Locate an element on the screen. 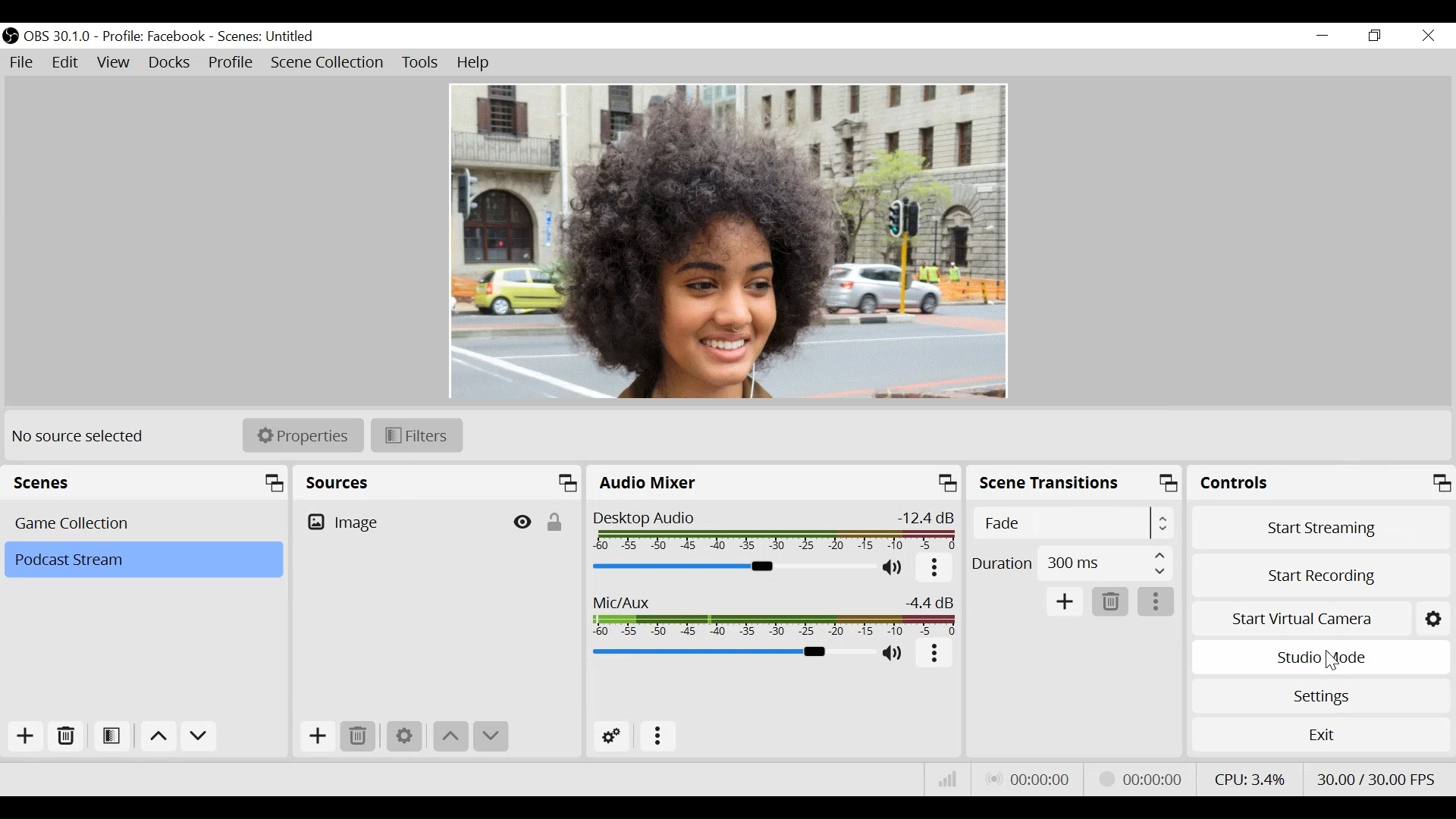  Start Recording is located at coordinates (1319, 575).